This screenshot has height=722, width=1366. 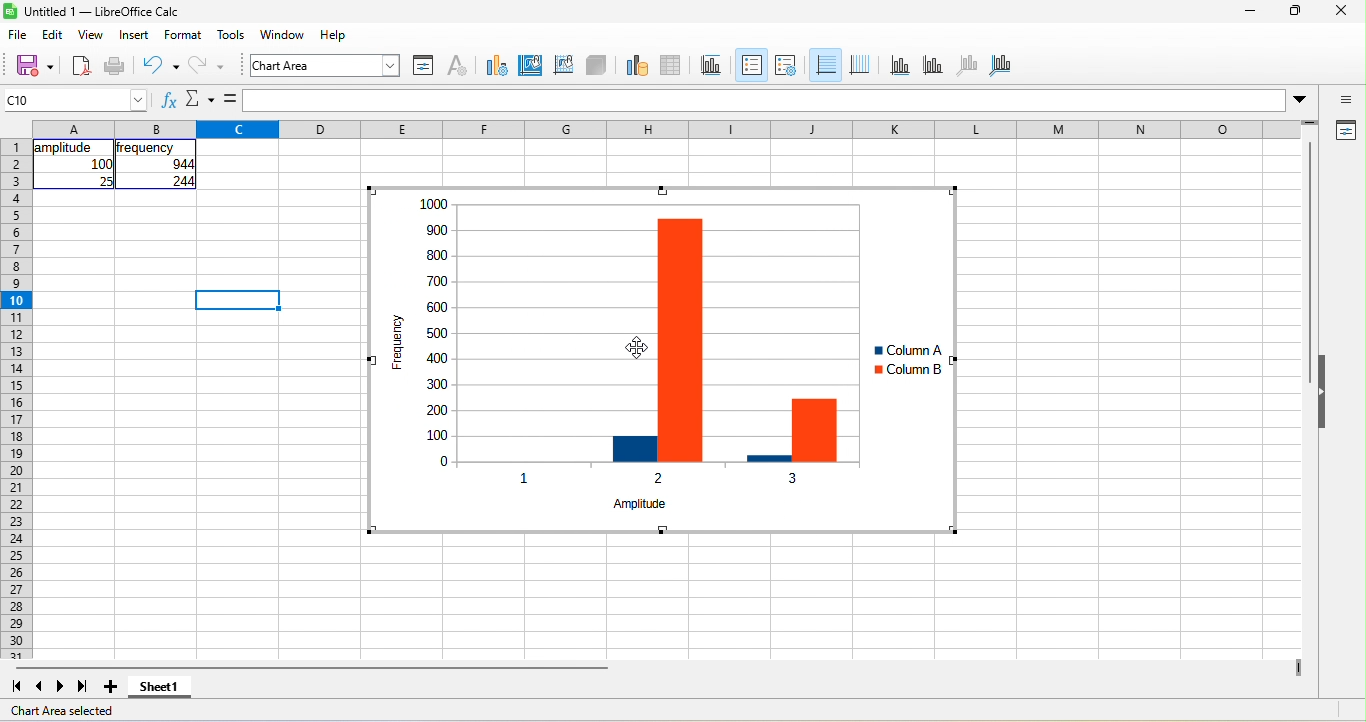 What do you see at coordinates (312, 668) in the screenshot?
I see `horizontal scroll bar` at bounding box center [312, 668].